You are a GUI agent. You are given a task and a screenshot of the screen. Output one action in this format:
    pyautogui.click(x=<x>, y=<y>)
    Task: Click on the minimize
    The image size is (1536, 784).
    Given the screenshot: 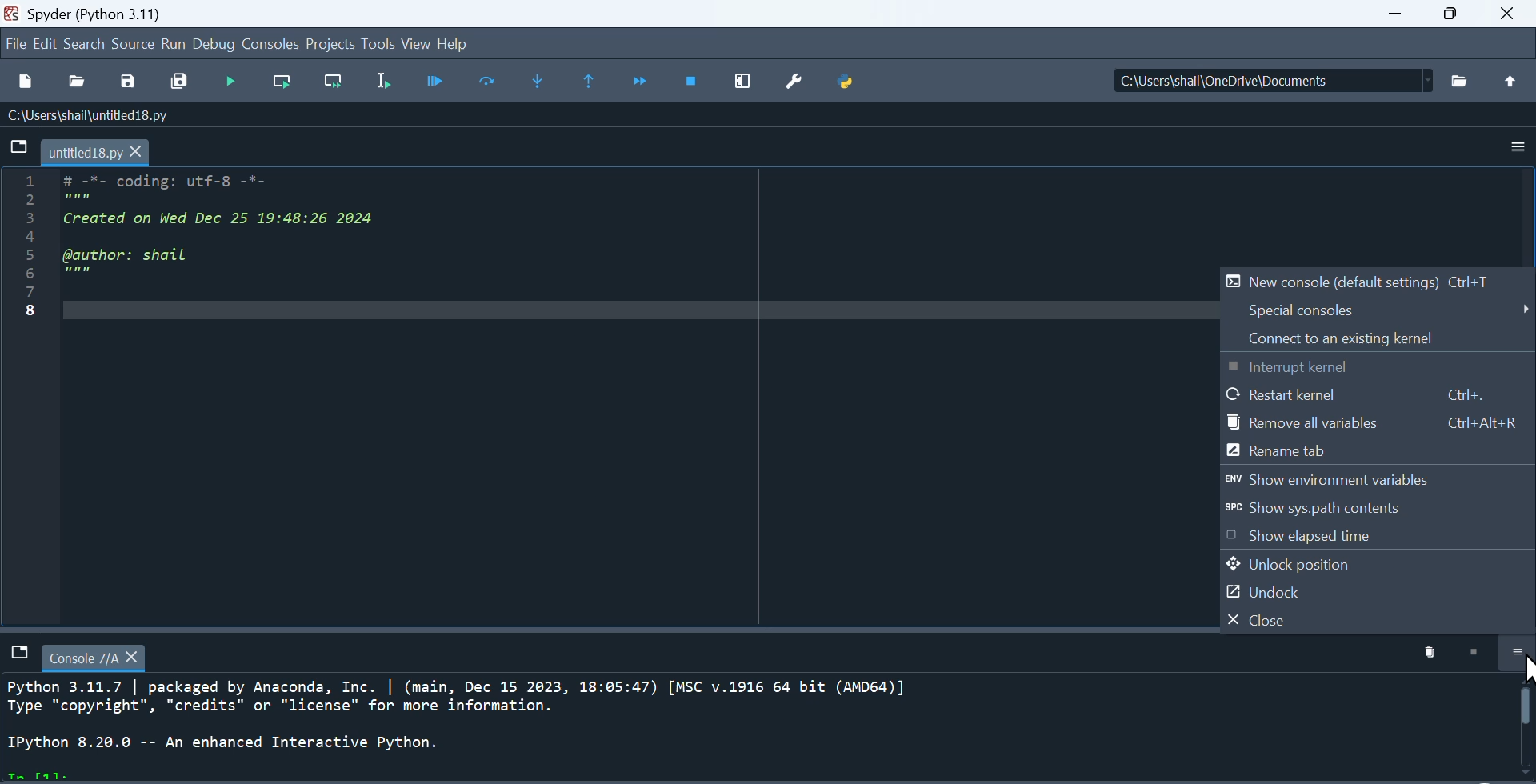 What is the action you would take?
    pyautogui.click(x=1392, y=14)
    